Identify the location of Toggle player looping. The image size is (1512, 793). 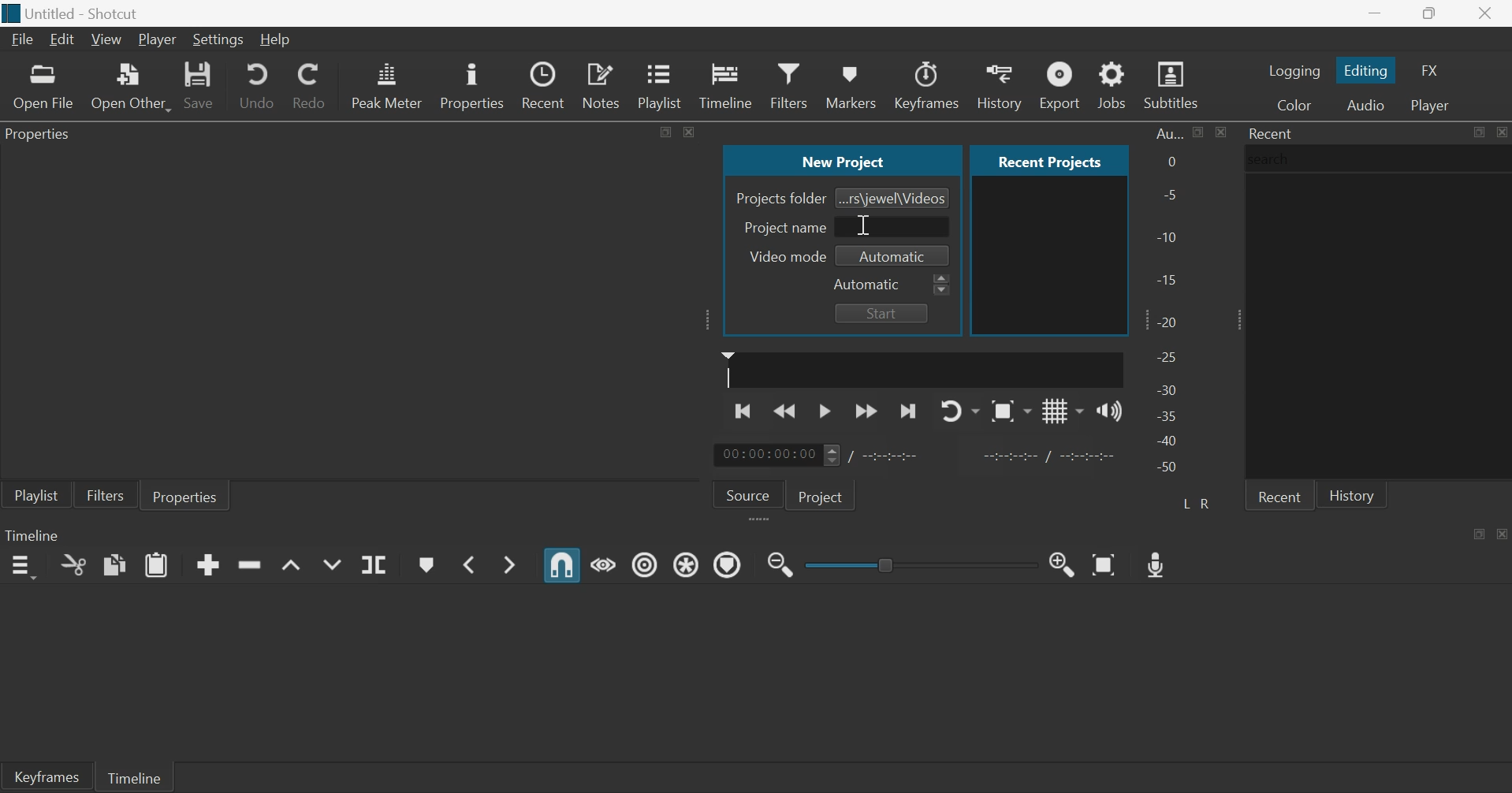
(960, 411).